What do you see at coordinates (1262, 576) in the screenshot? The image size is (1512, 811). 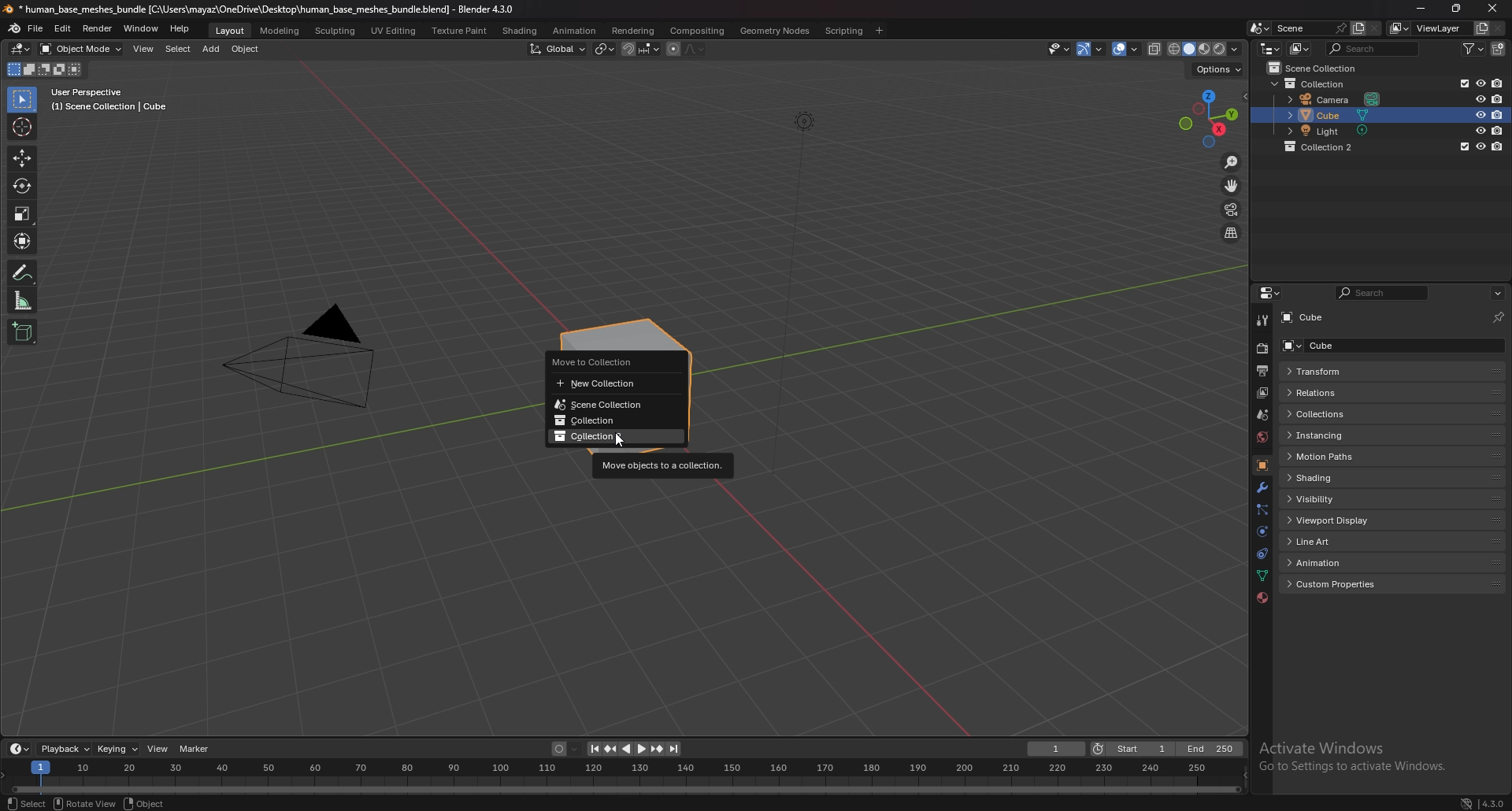 I see `data` at bounding box center [1262, 576].